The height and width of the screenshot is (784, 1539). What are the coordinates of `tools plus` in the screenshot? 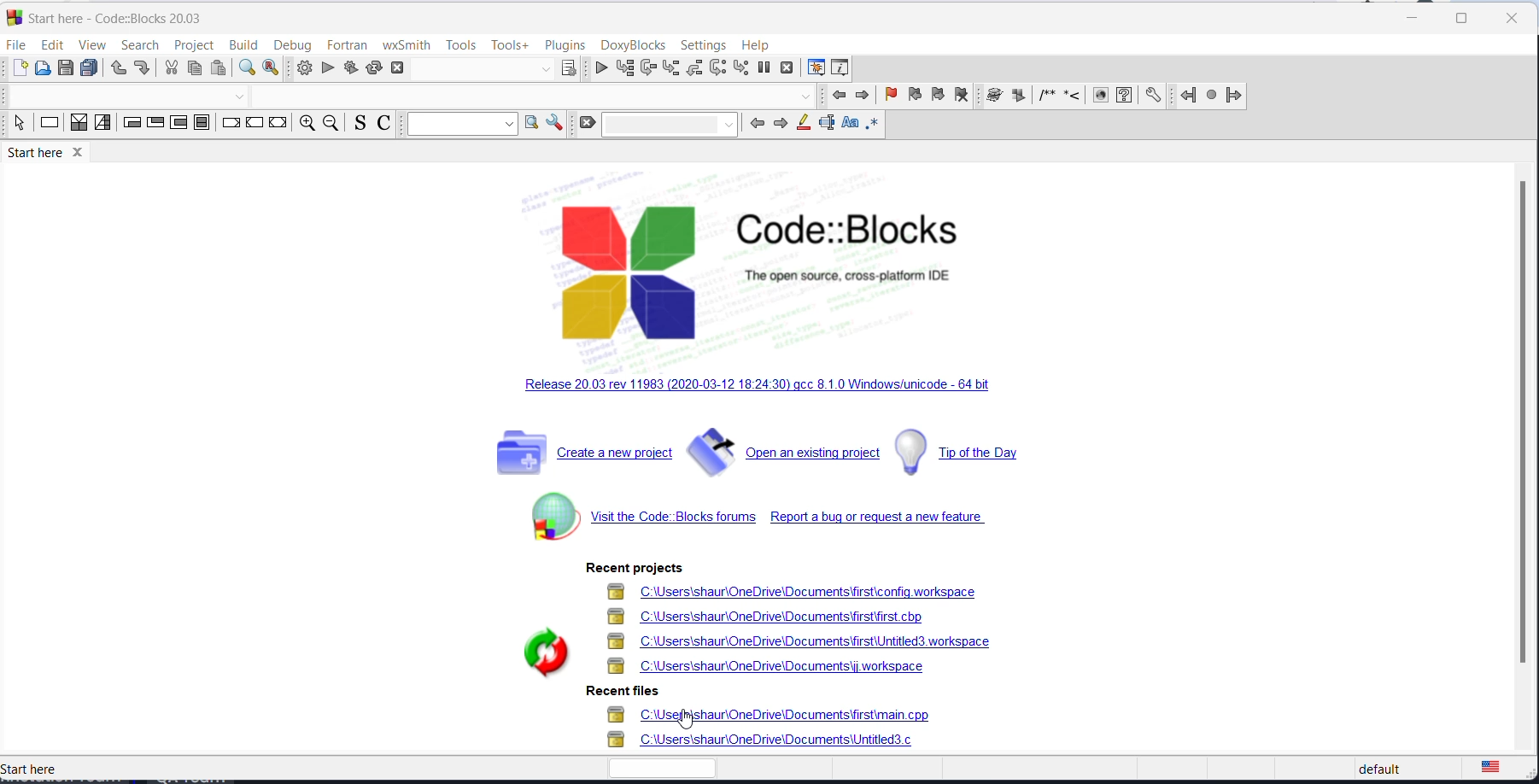 It's located at (507, 46).